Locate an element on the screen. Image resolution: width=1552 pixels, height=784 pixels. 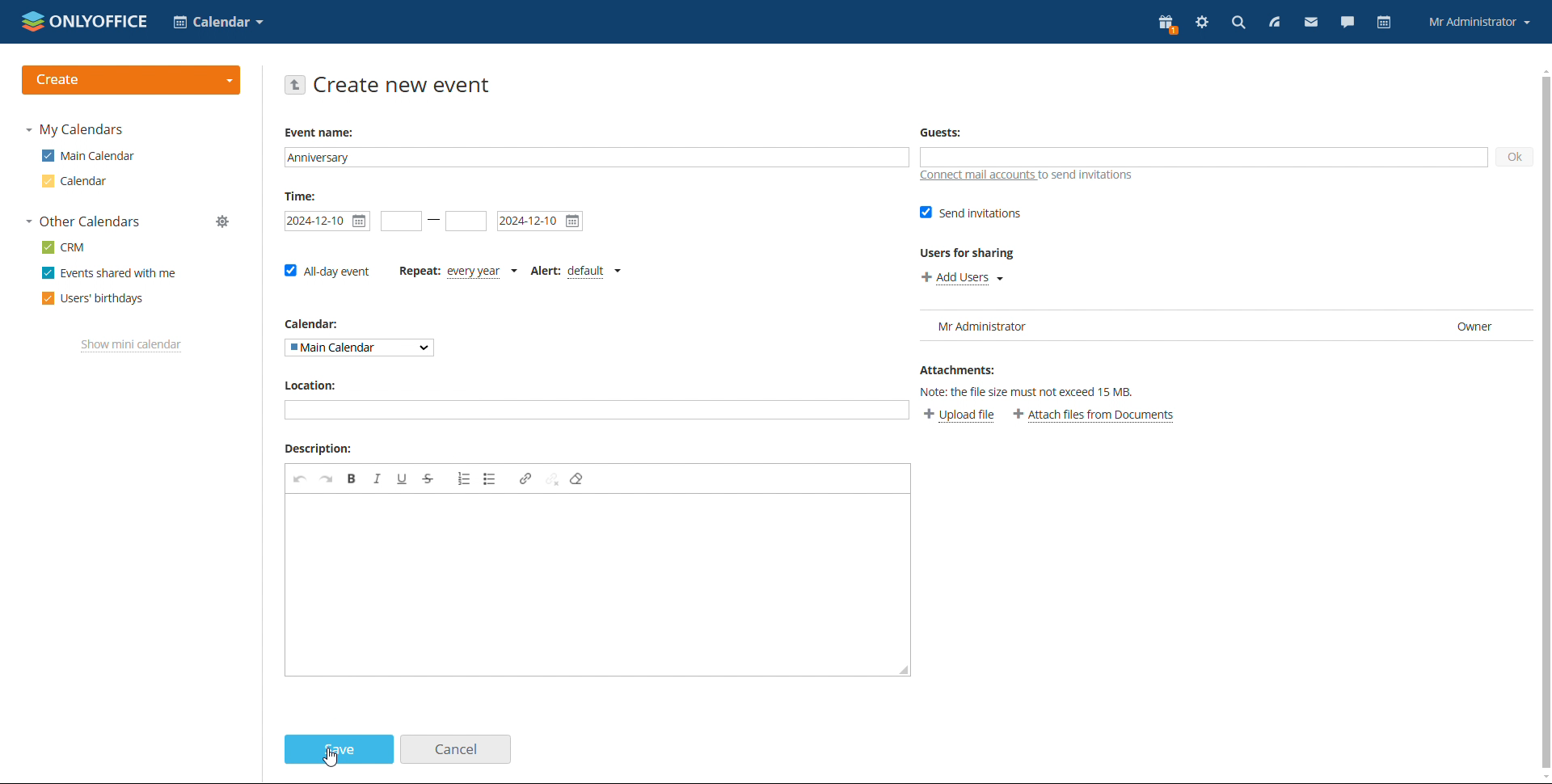
mail is located at coordinates (1310, 23).